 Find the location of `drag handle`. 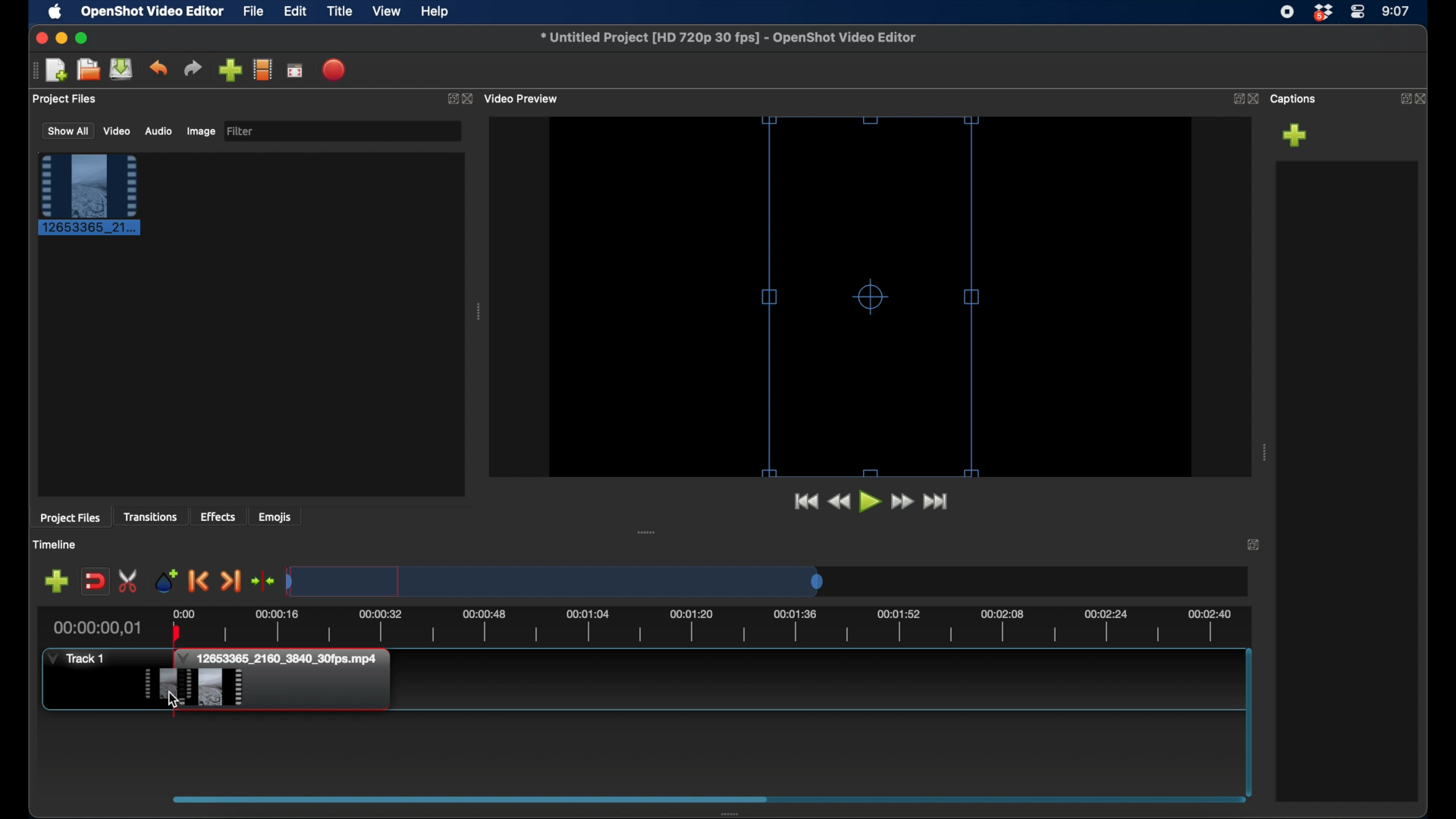

drag handle is located at coordinates (646, 531).